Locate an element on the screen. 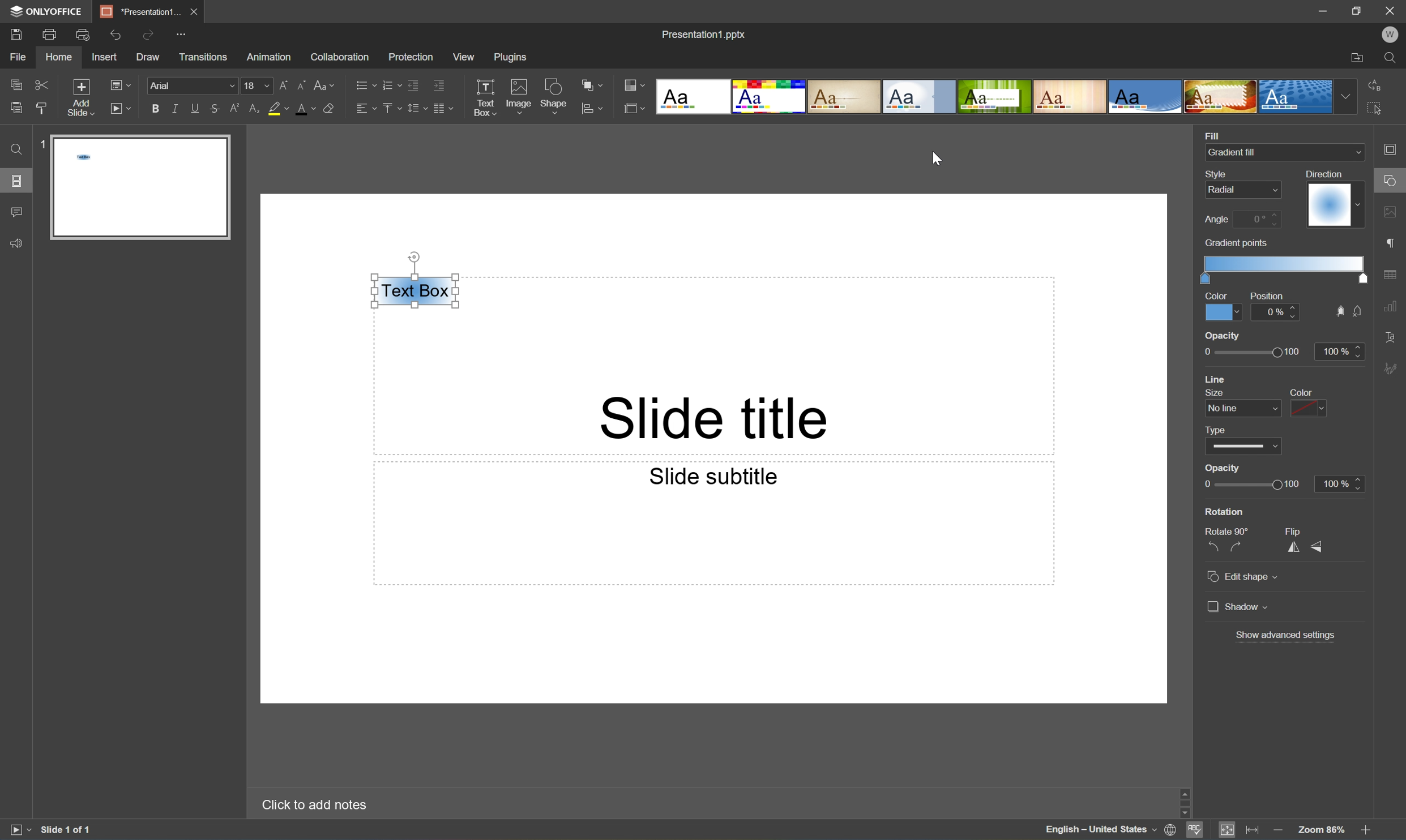 The height and width of the screenshot is (840, 1406). Open file location is located at coordinates (1358, 57).